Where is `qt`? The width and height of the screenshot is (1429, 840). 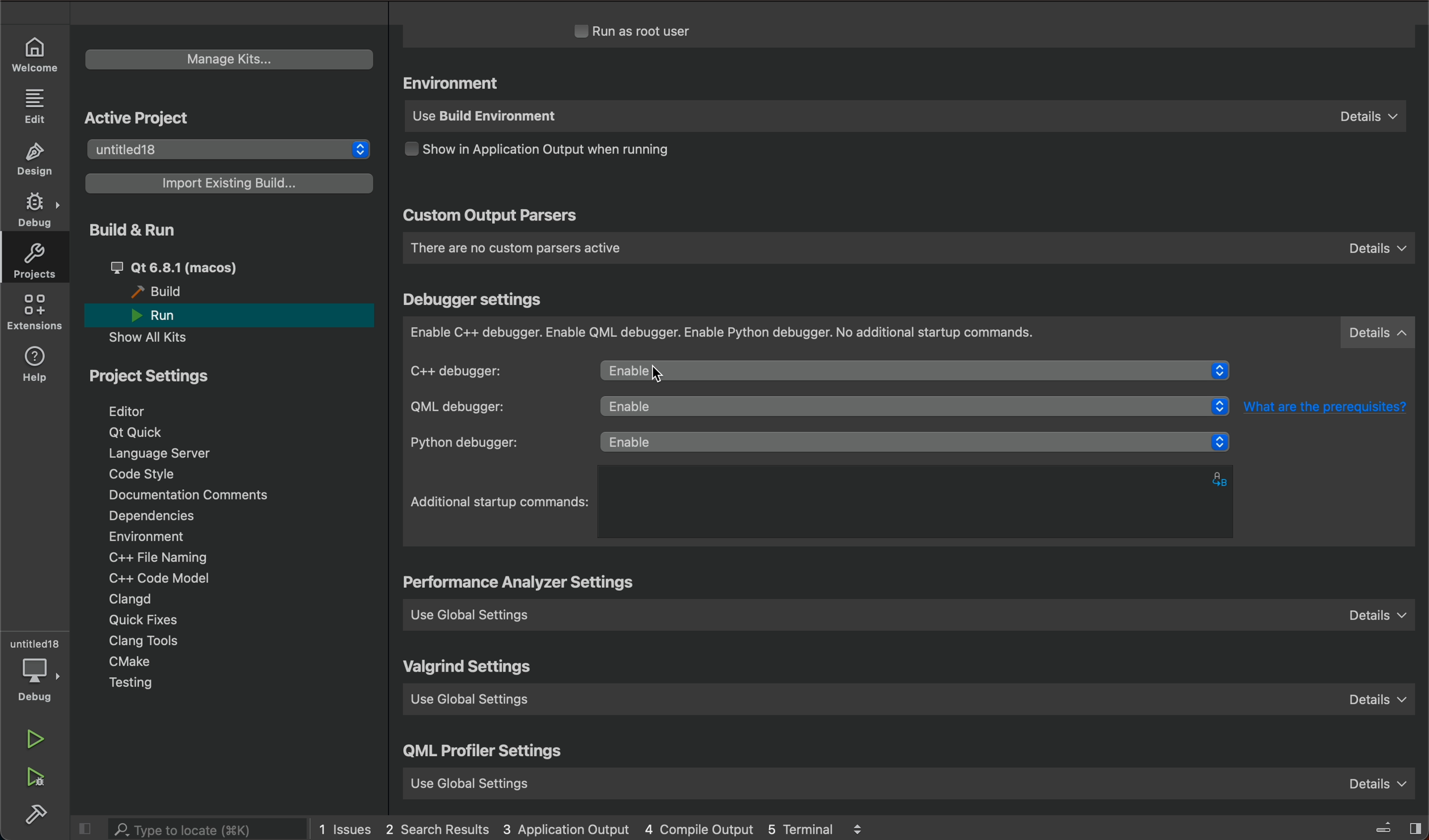 qt is located at coordinates (200, 266).